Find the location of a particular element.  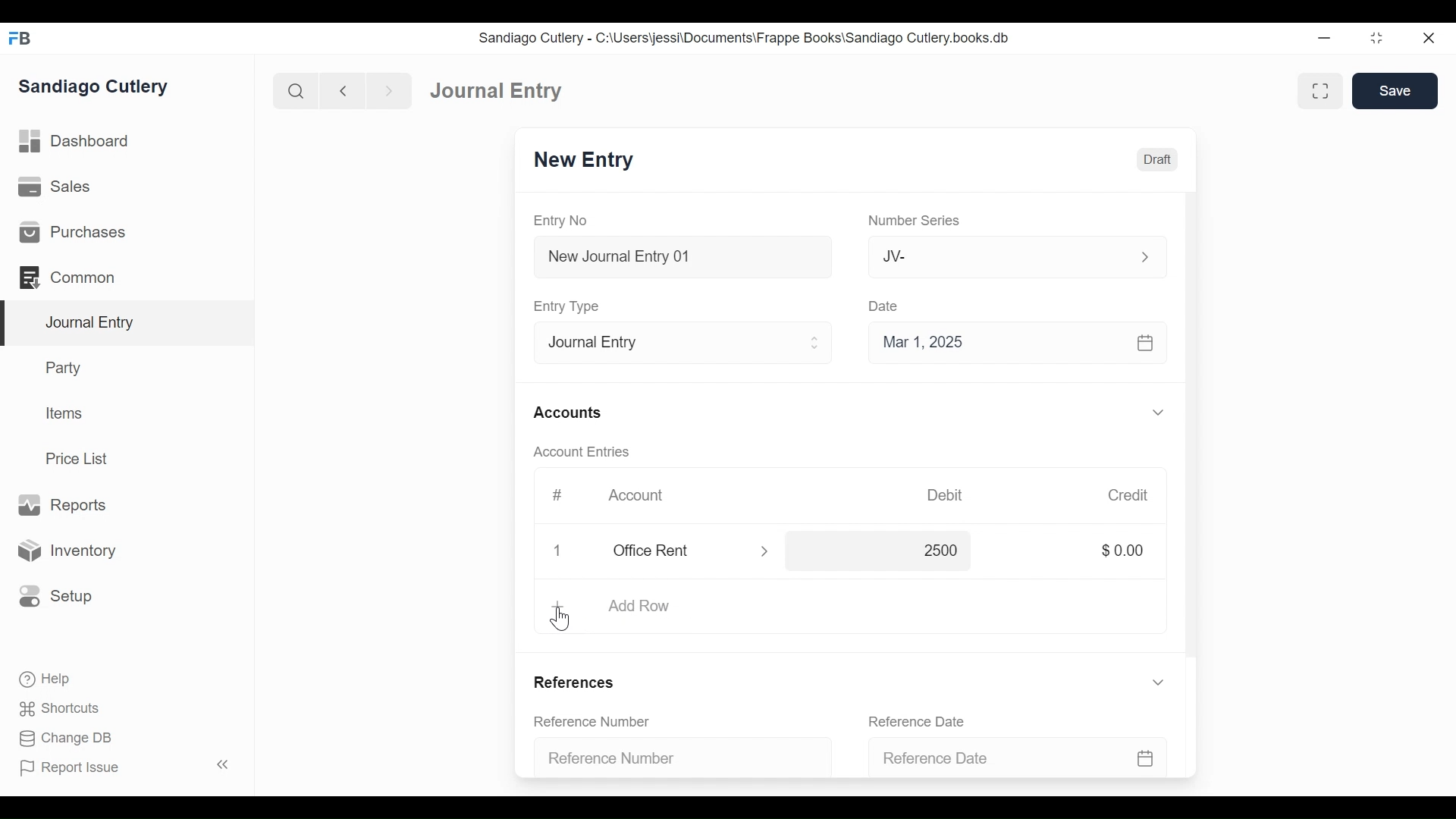

close is located at coordinates (1434, 36).